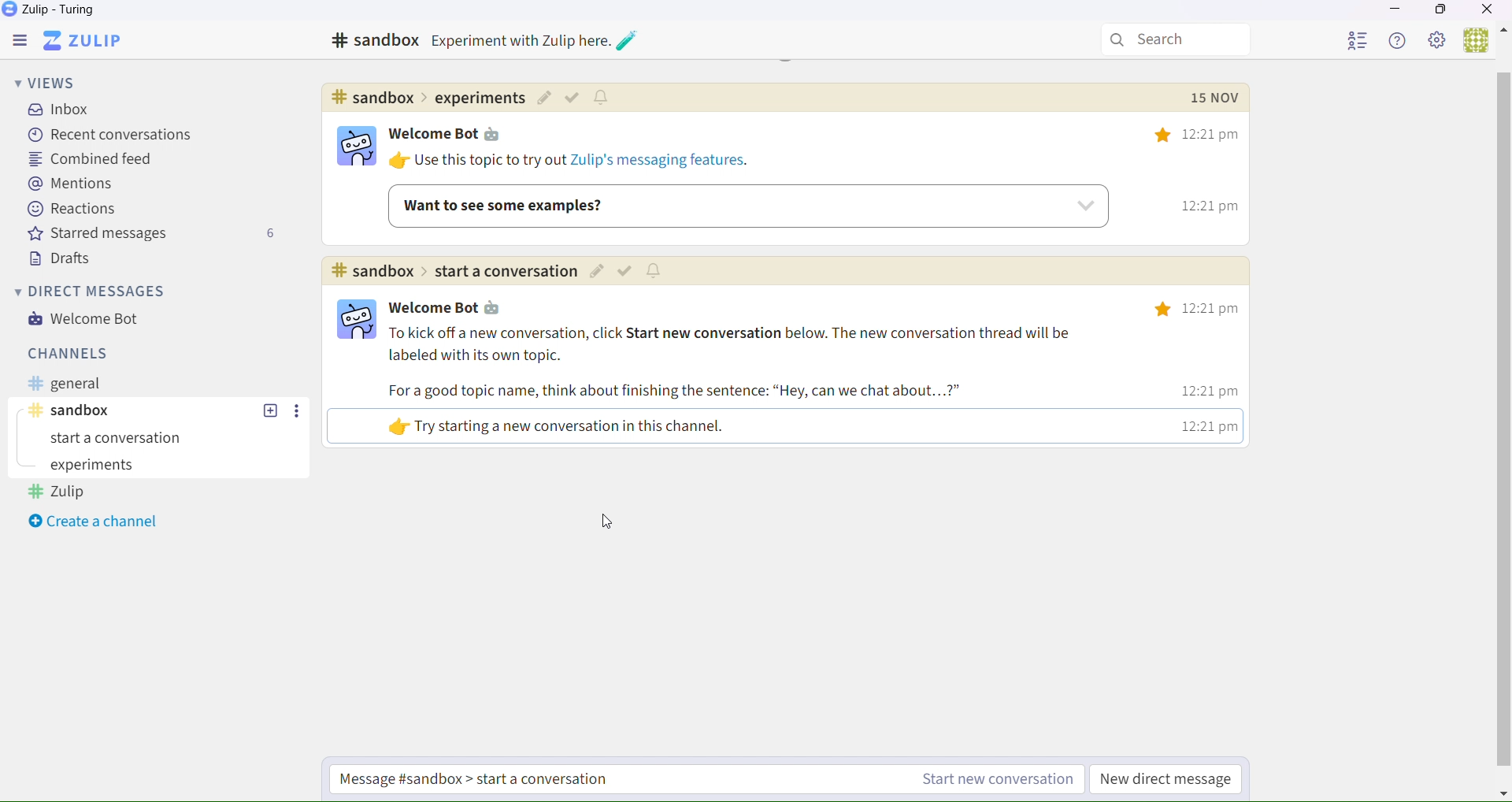 This screenshot has width=1512, height=802. I want to click on For a good topic name, think about finishing the sentence: “Hey, can we chat about...?”, so click(709, 394).